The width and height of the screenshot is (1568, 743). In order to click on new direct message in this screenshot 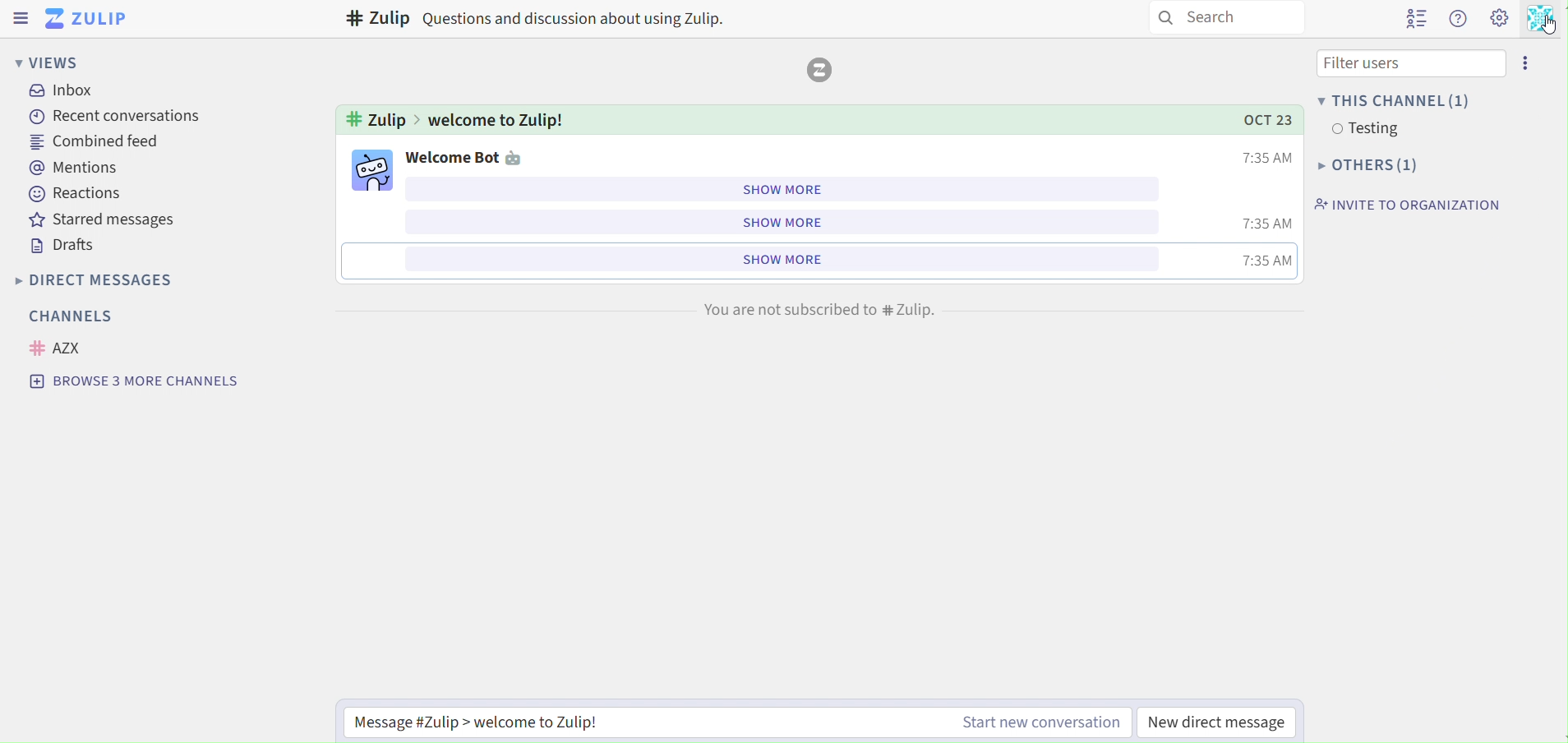, I will do `click(1229, 718)`.